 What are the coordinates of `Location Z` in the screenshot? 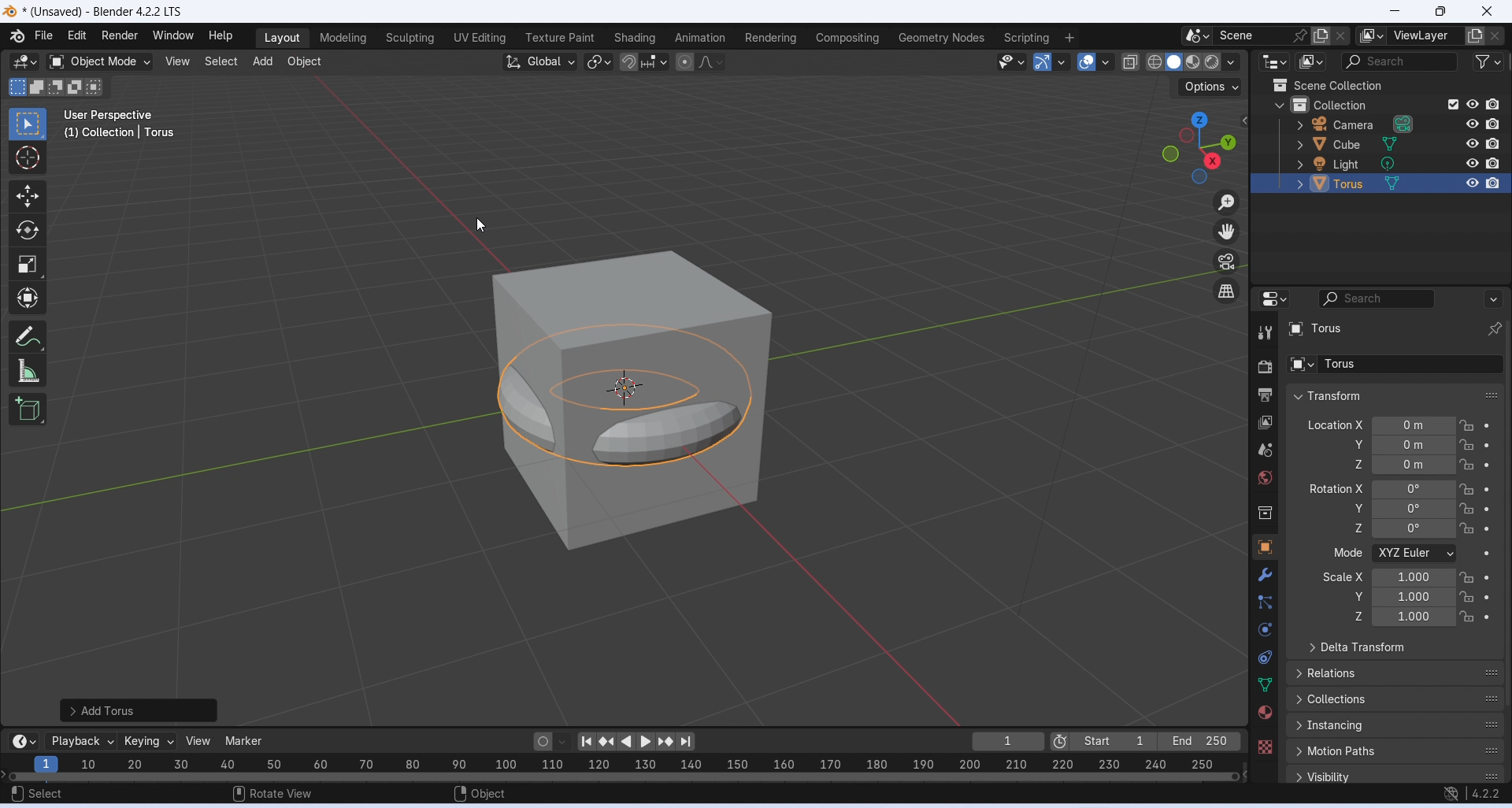 It's located at (1356, 464).